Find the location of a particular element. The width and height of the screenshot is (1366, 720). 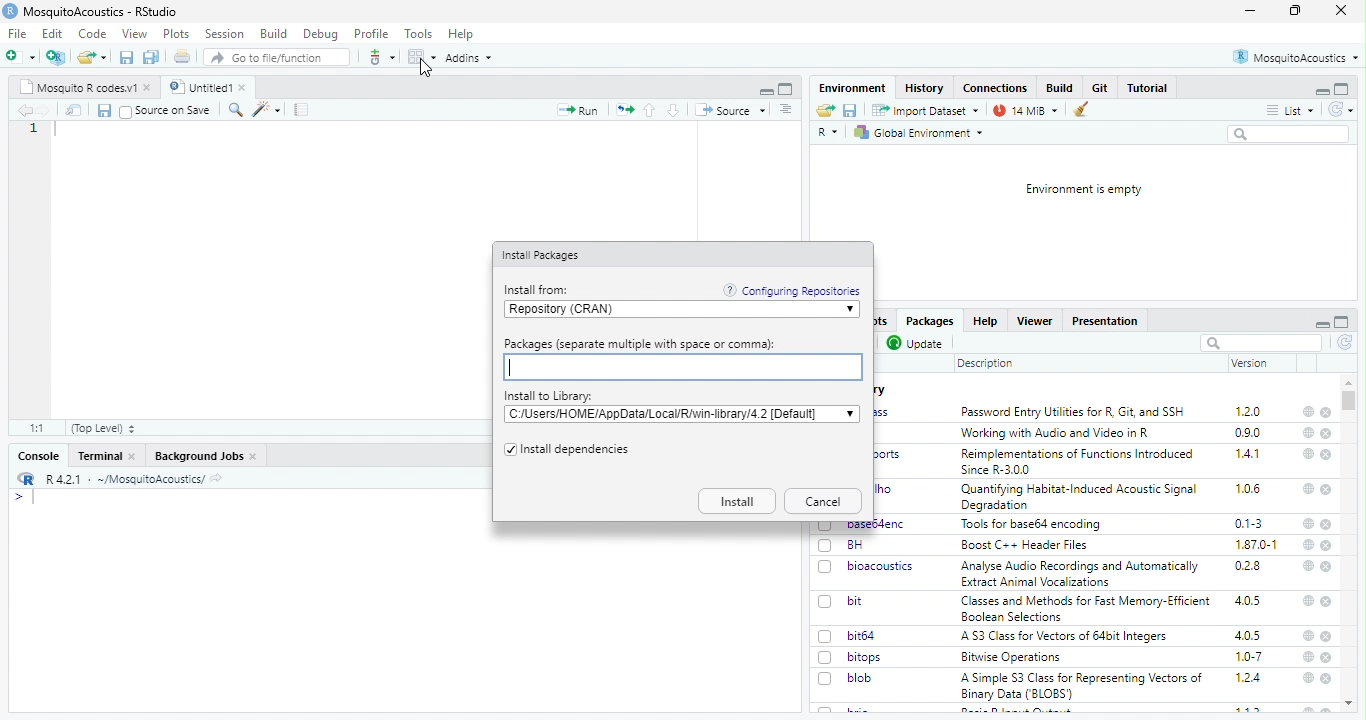

checkbox is located at coordinates (126, 112).